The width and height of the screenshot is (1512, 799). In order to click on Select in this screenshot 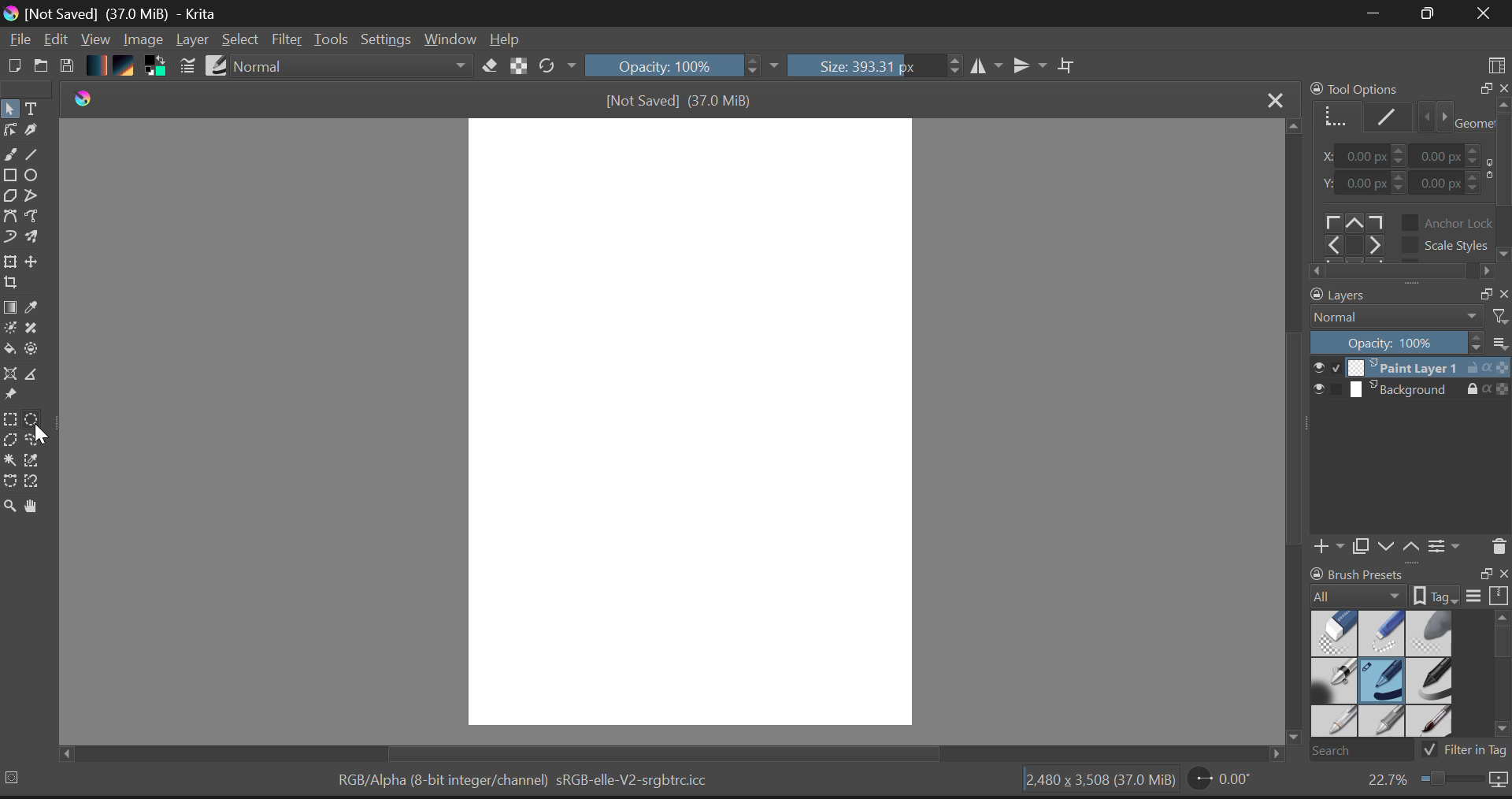, I will do `click(243, 40)`.